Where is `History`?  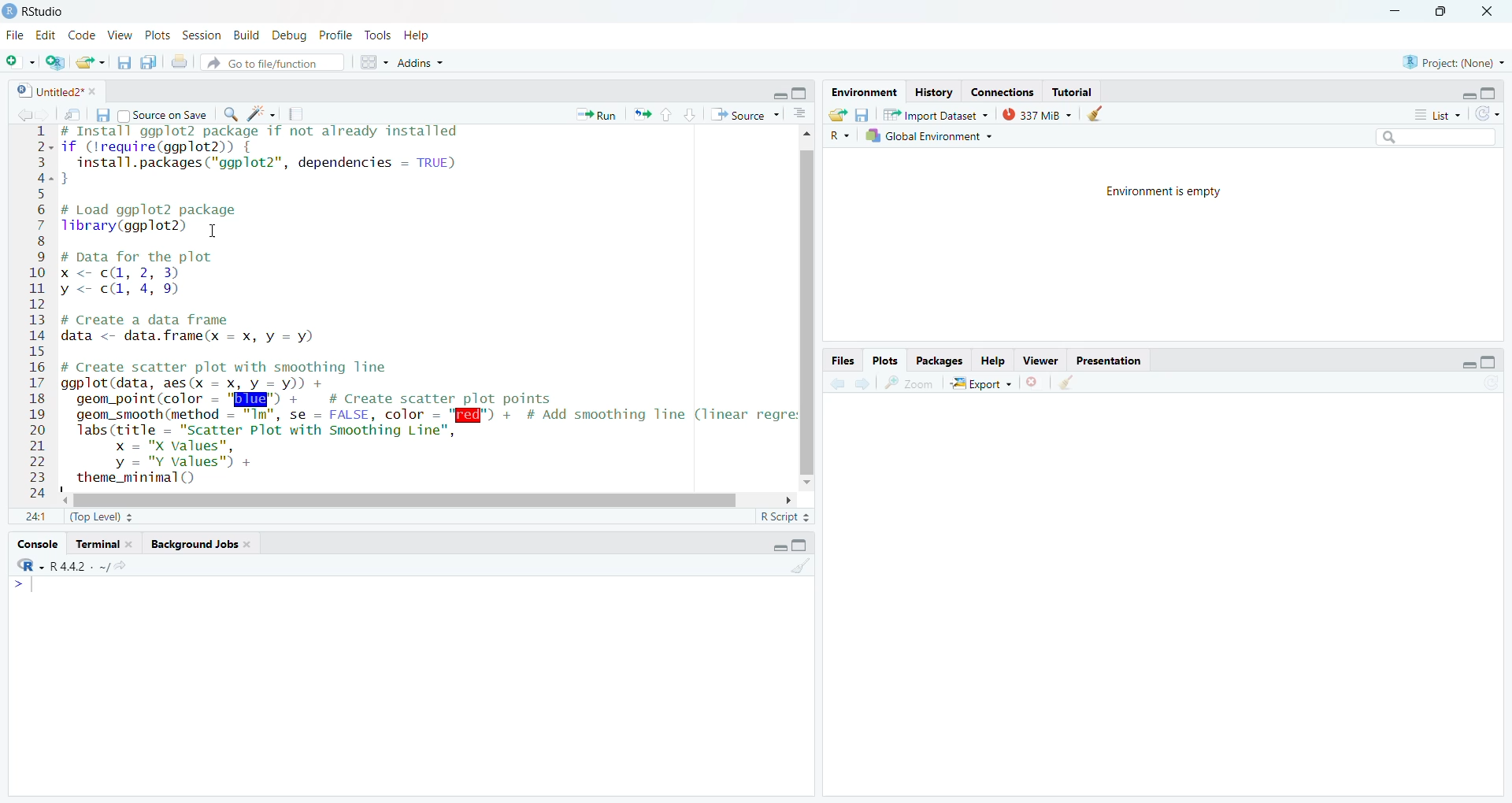
History is located at coordinates (932, 93).